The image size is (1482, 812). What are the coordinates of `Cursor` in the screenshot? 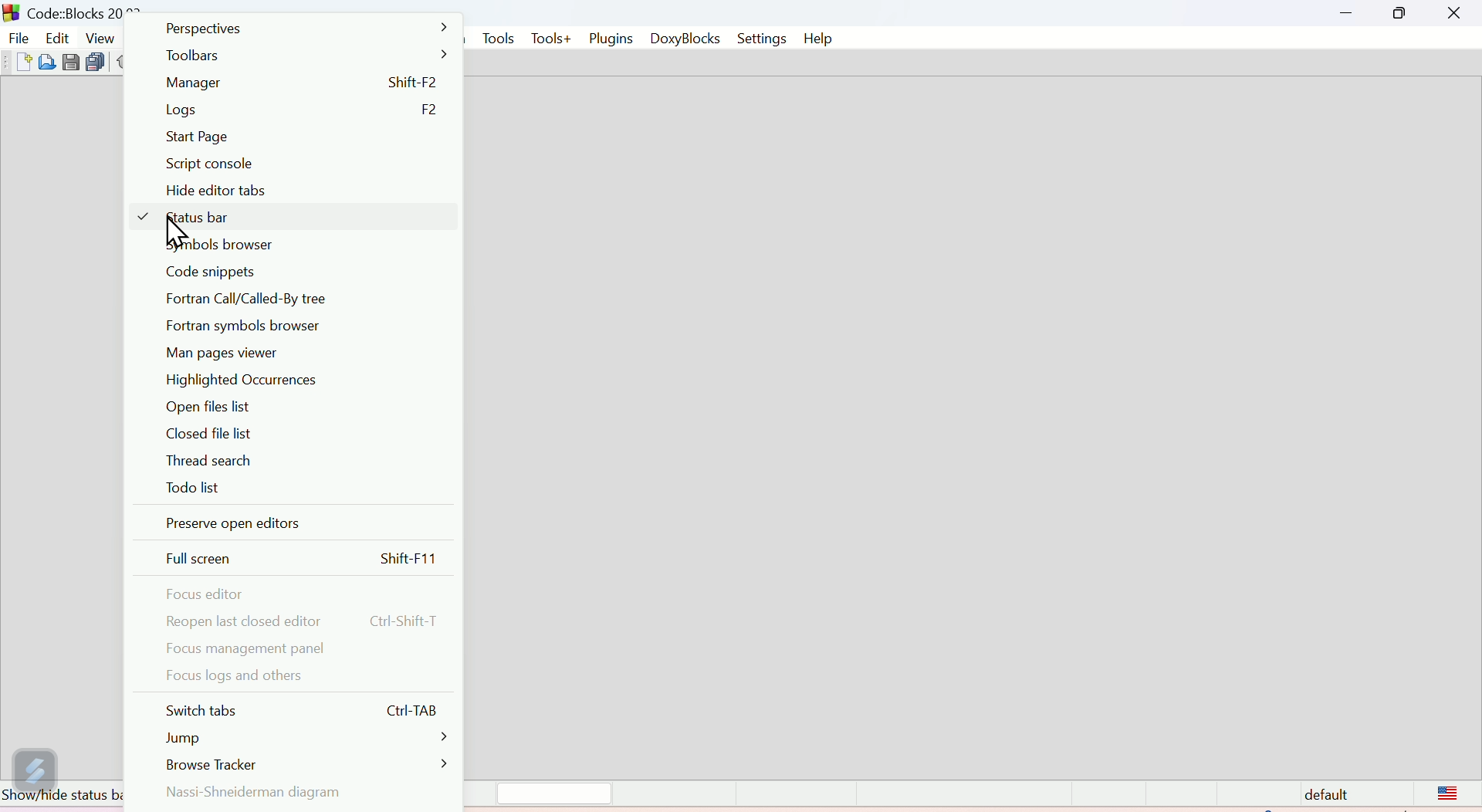 It's located at (177, 233).